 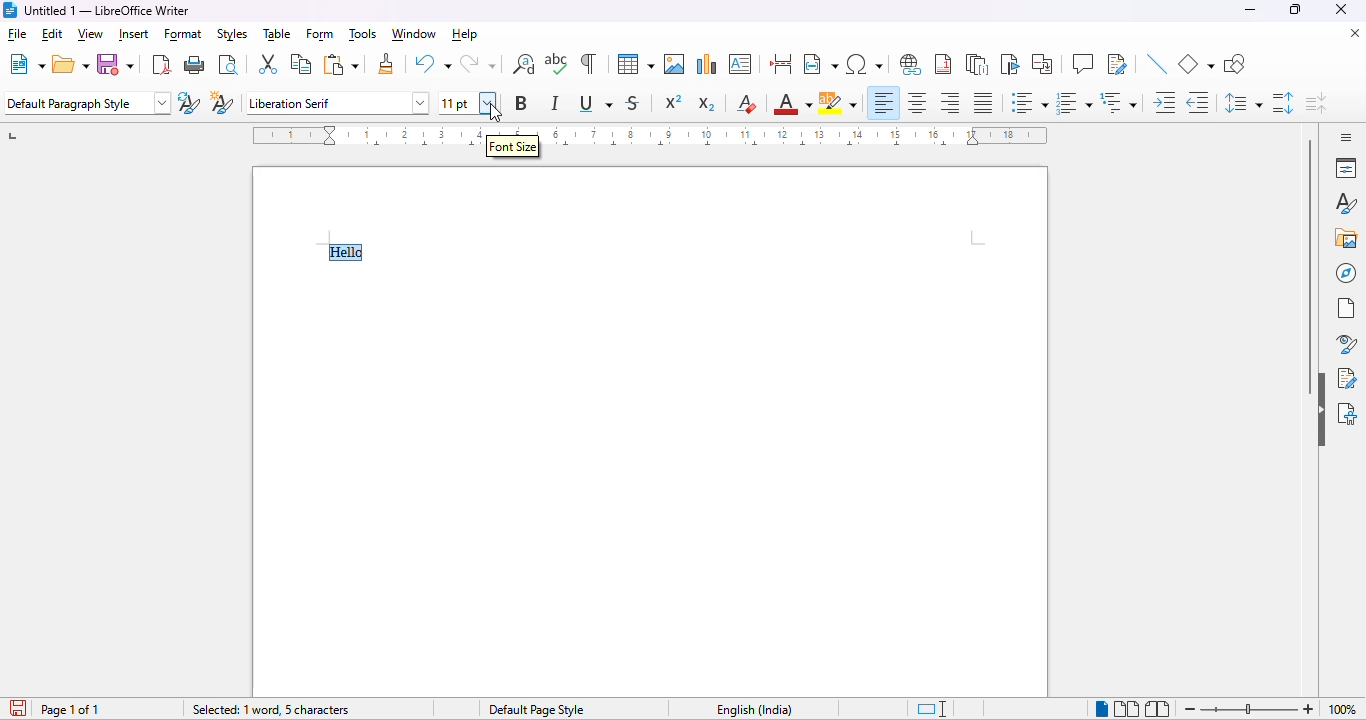 What do you see at coordinates (1346, 309) in the screenshot?
I see `page` at bounding box center [1346, 309].